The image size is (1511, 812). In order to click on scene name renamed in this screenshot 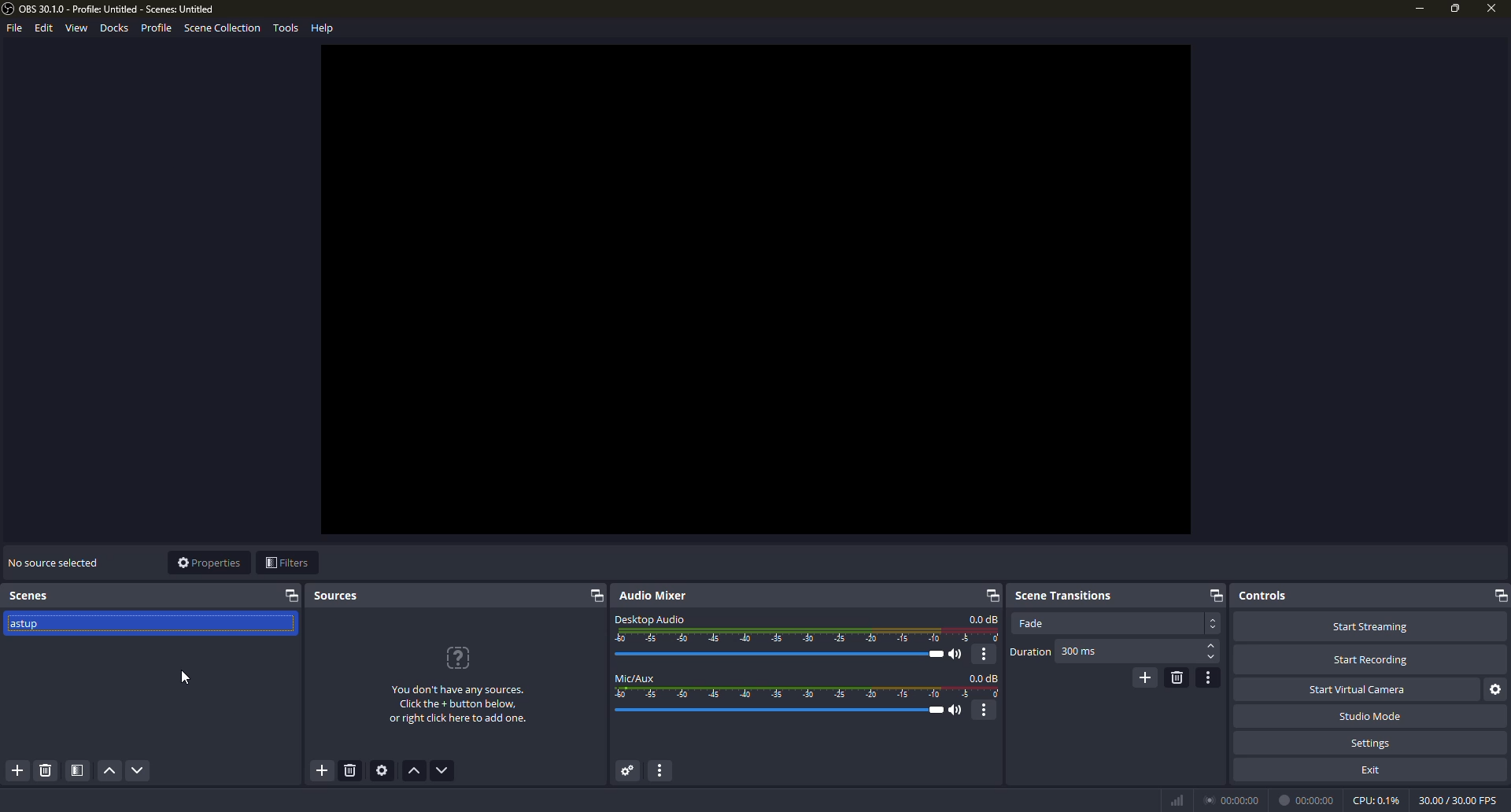, I will do `click(31, 628)`.